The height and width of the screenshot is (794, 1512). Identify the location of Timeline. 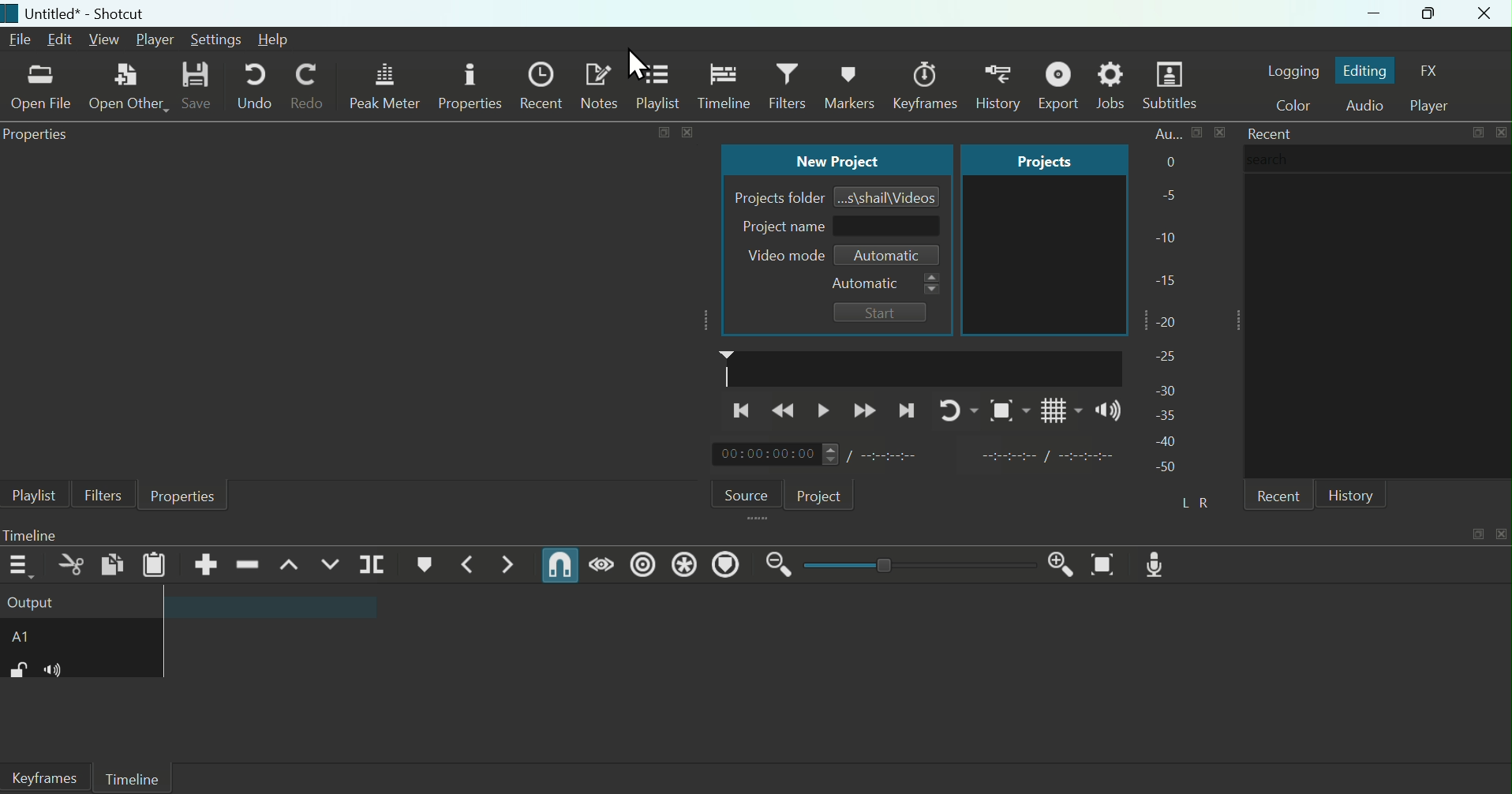
(724, 85).